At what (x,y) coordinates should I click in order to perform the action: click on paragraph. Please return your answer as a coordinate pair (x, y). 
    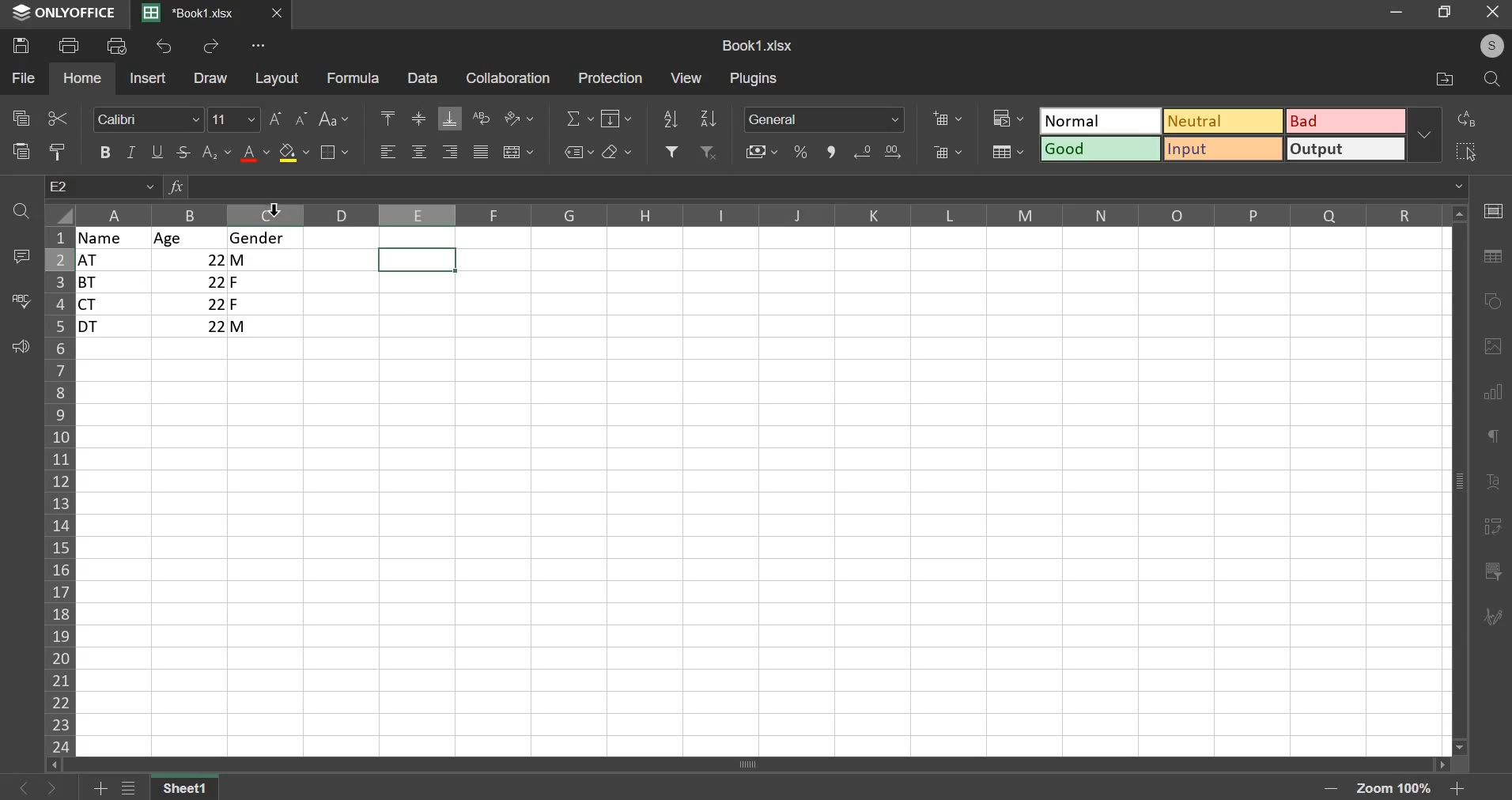
    Looking at the image, I should click on (1490, 436).